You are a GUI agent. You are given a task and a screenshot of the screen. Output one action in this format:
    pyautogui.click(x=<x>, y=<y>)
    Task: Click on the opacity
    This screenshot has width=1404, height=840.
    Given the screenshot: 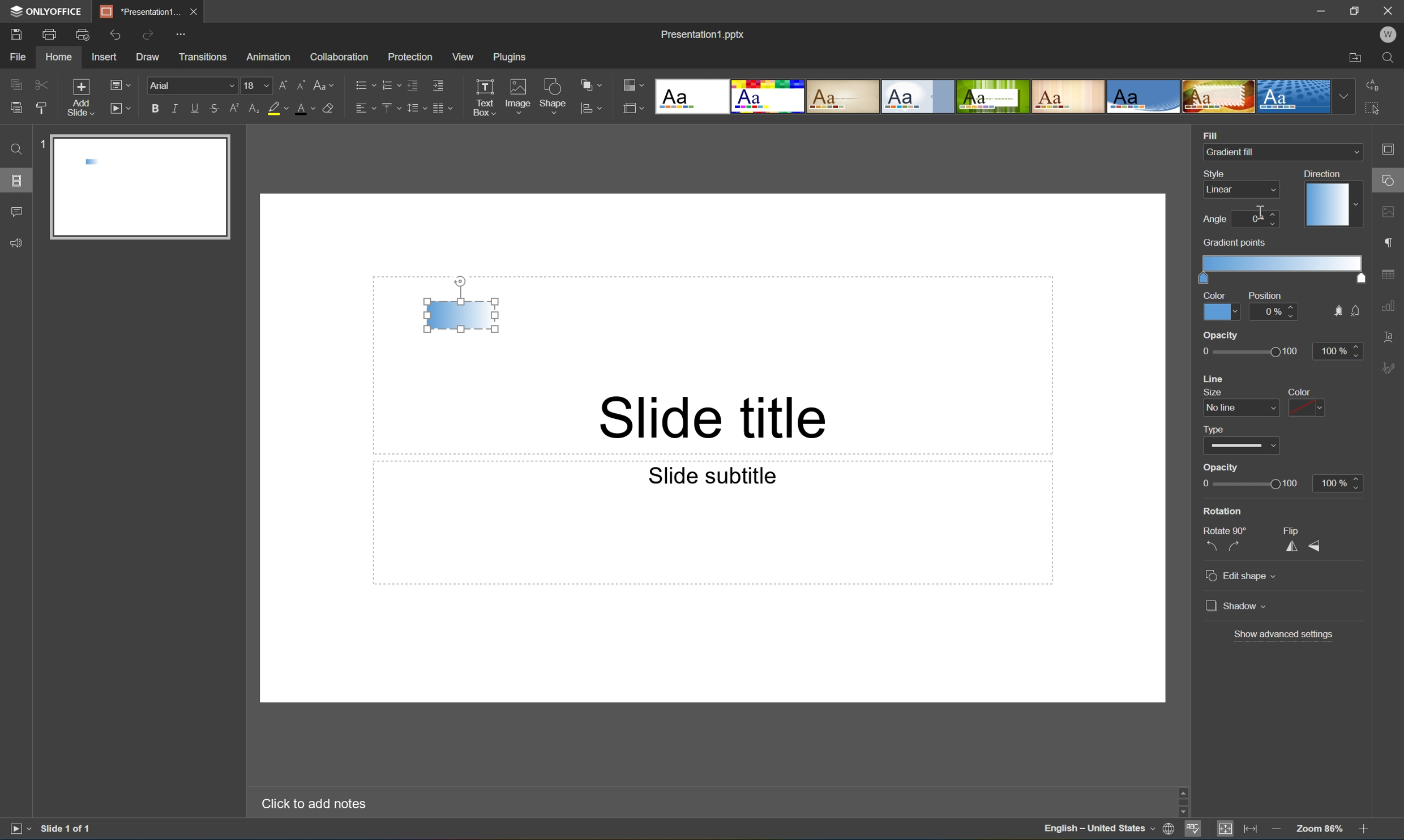 What is the action you would take?
    pyautogui.click(x=1222, y=335)
    